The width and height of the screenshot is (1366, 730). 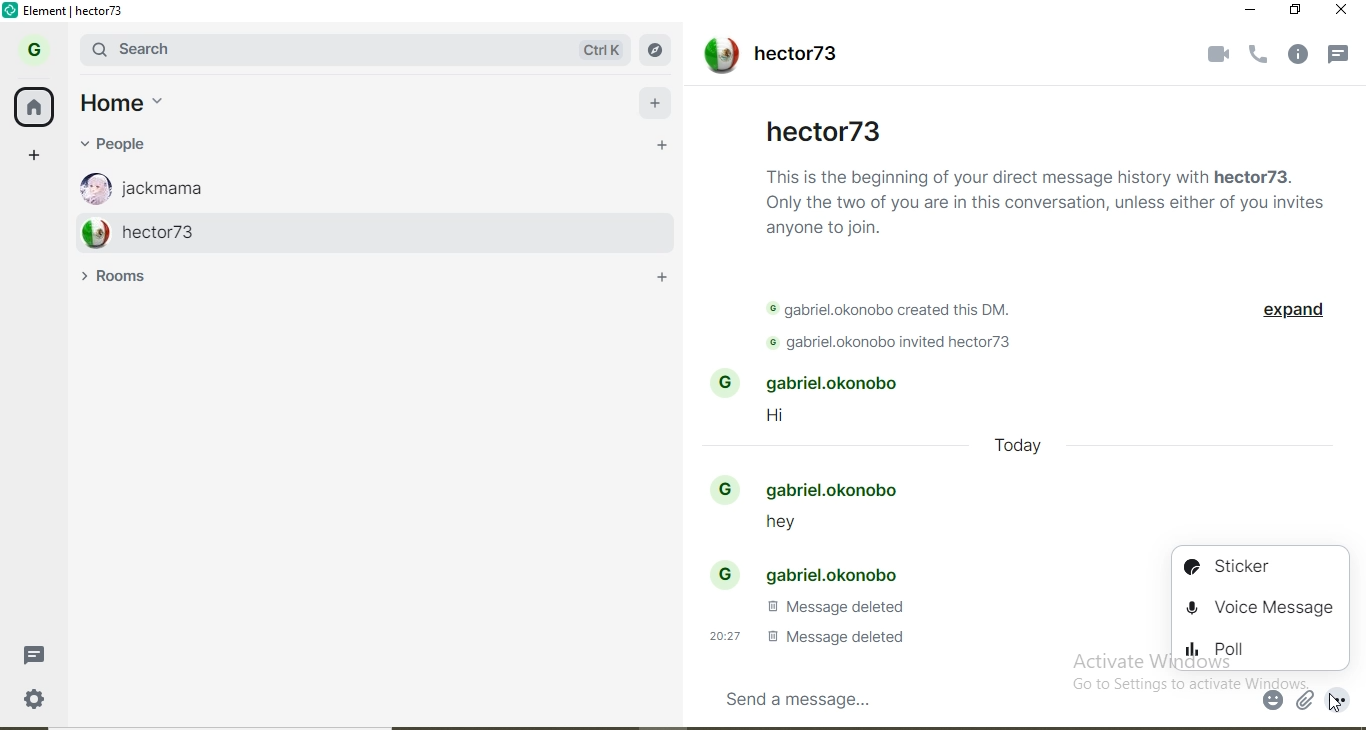 What do you see at coordinates (815, 384) in the screenshot?
I see `gabriel.okonobo` at bounding box center [815, 384].